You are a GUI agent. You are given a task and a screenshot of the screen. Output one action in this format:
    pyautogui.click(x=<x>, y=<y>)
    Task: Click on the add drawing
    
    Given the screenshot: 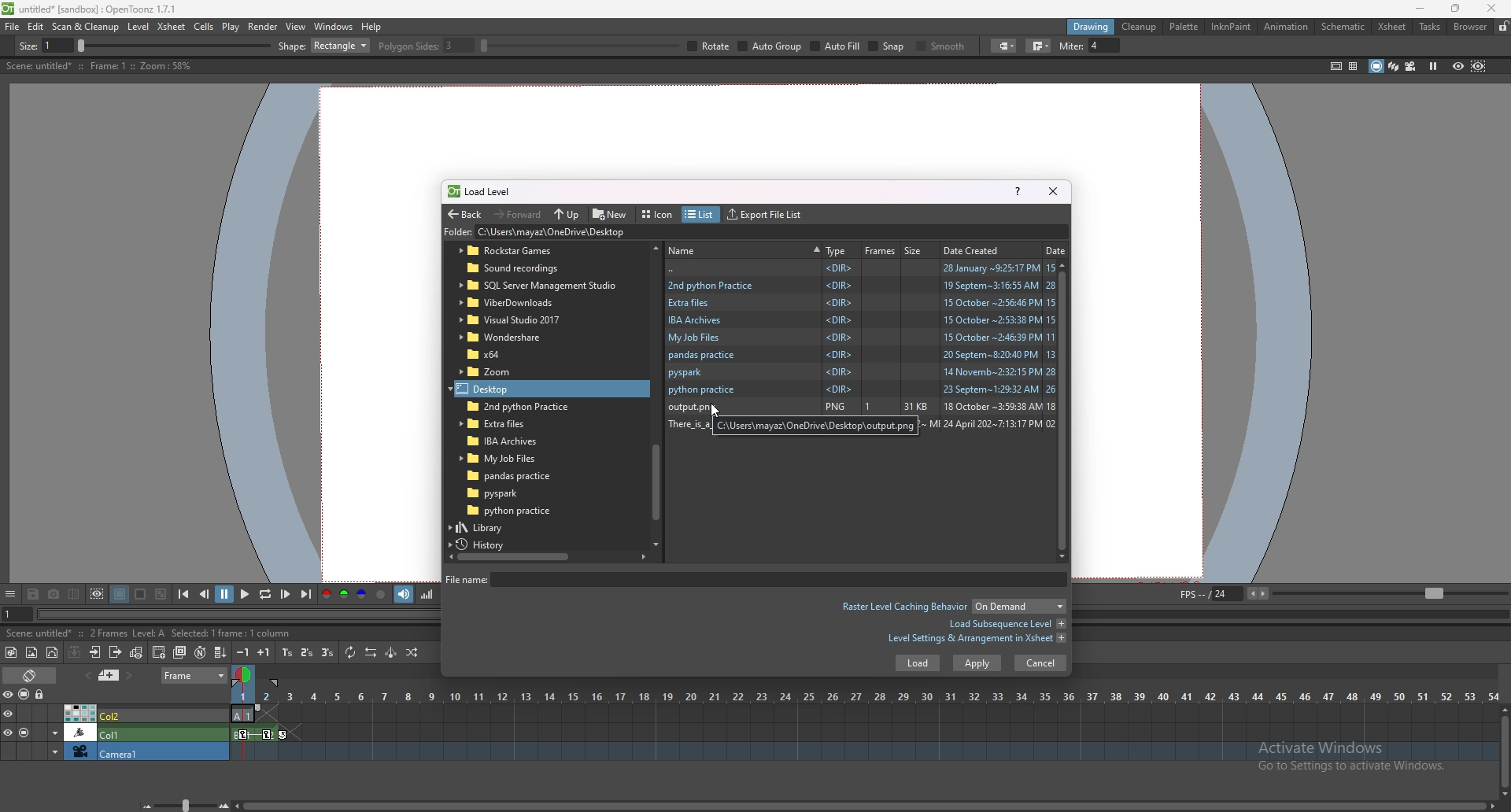 What is the action you would take?
    pyautogui.click(x=160, y=651)
    